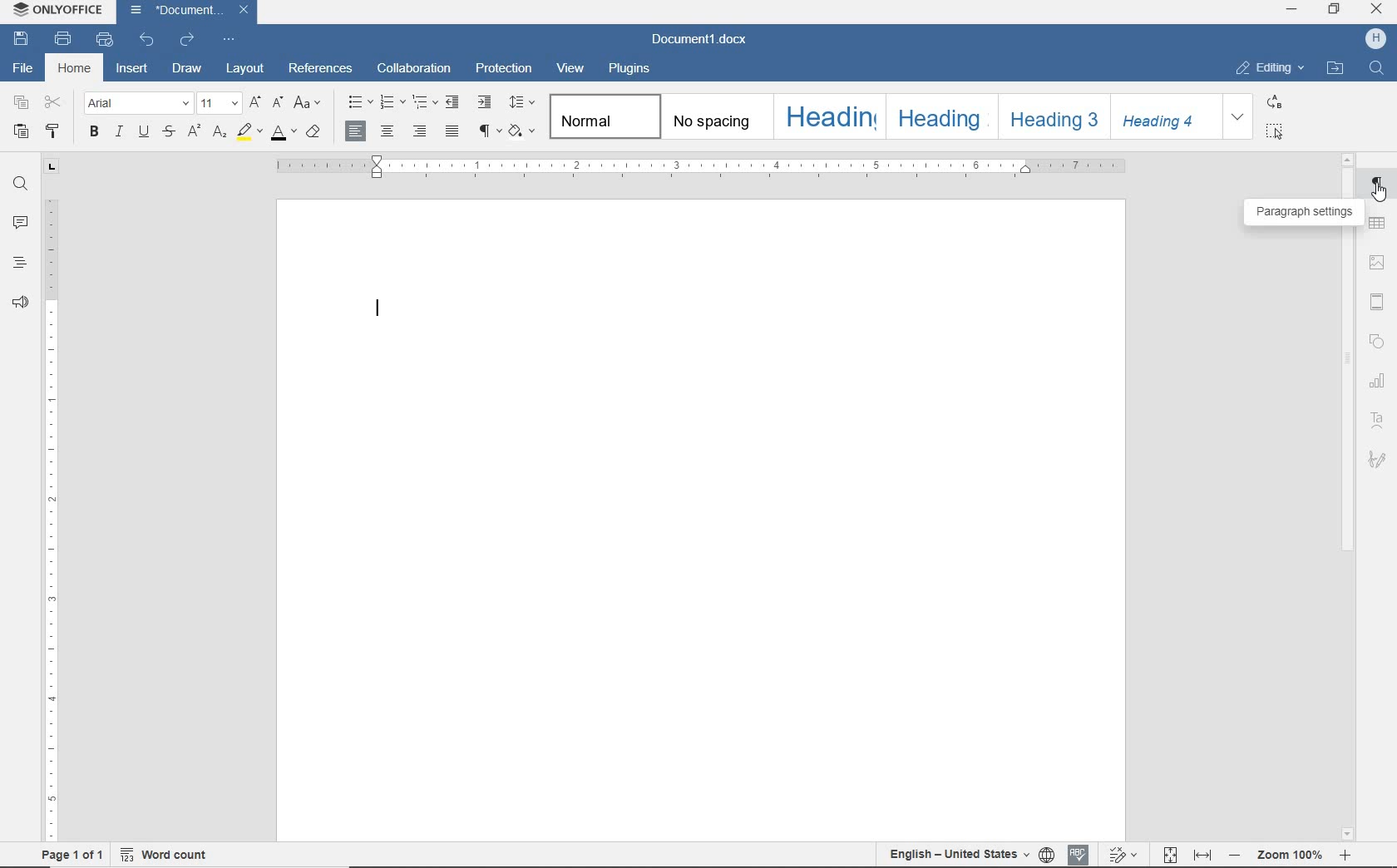  I want to click on feedback & support, so click(17, 301).